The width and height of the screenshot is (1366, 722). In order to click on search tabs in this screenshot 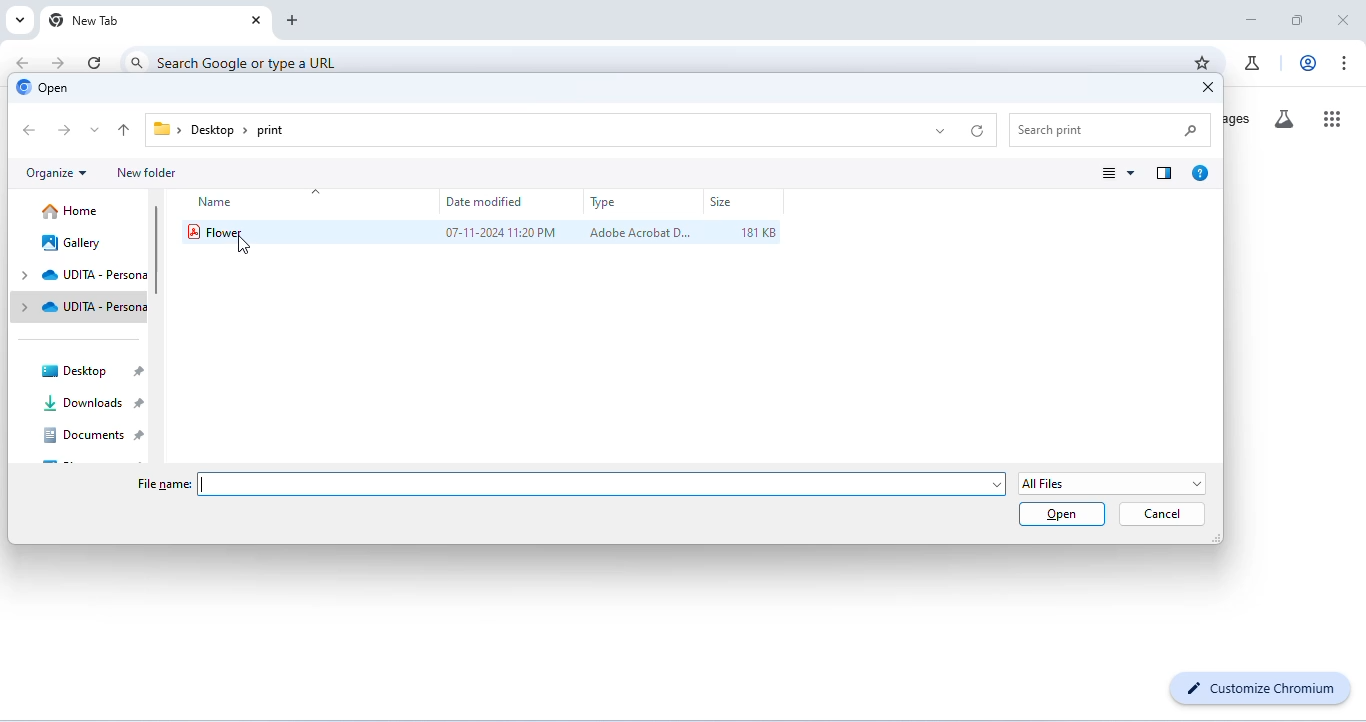, I will do `click(20, 20)`.